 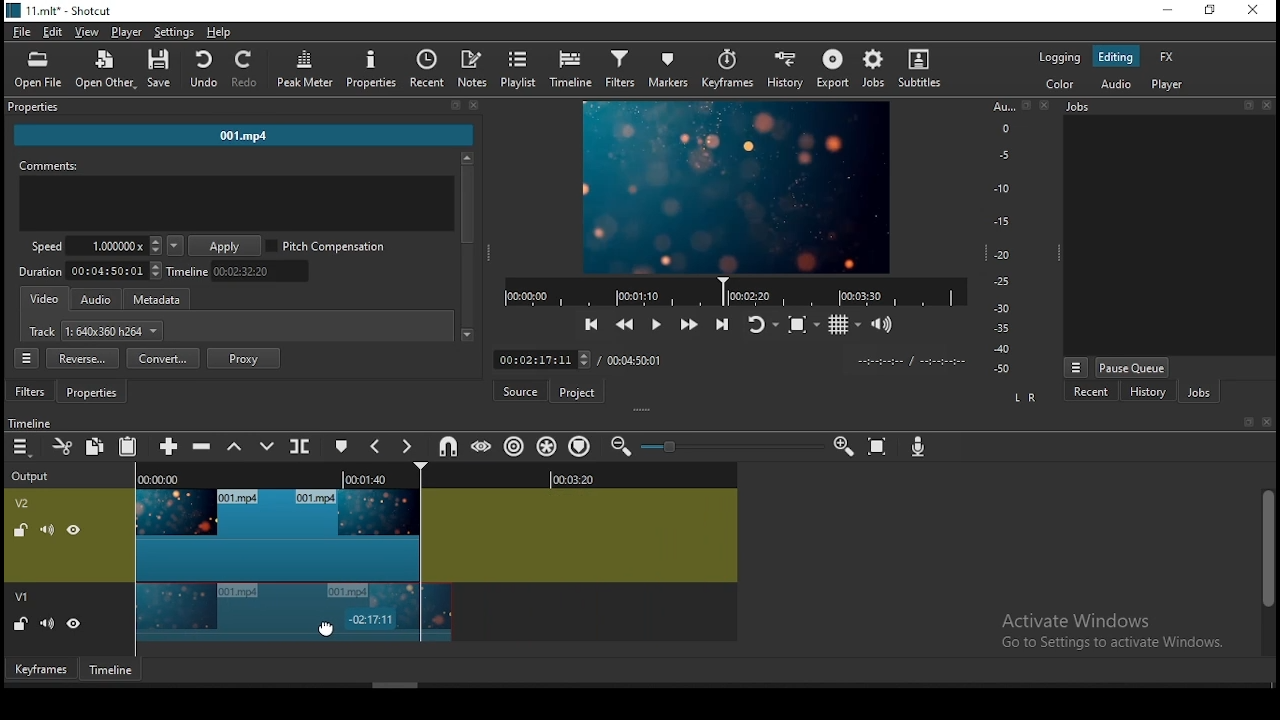 I want to click on jobs, so click(x=1199, y=392).